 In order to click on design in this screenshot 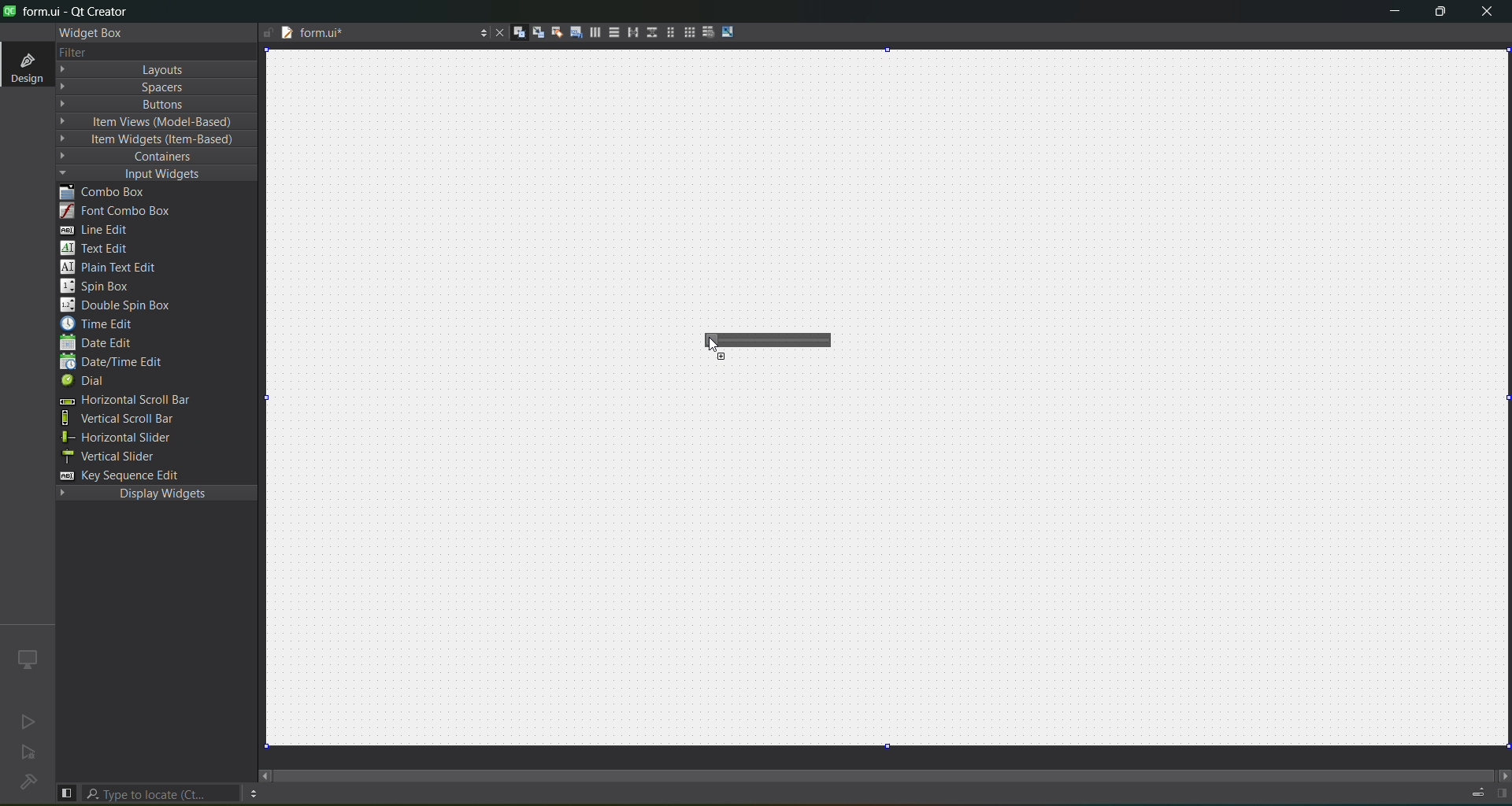, I will do `click(23, 65)`.